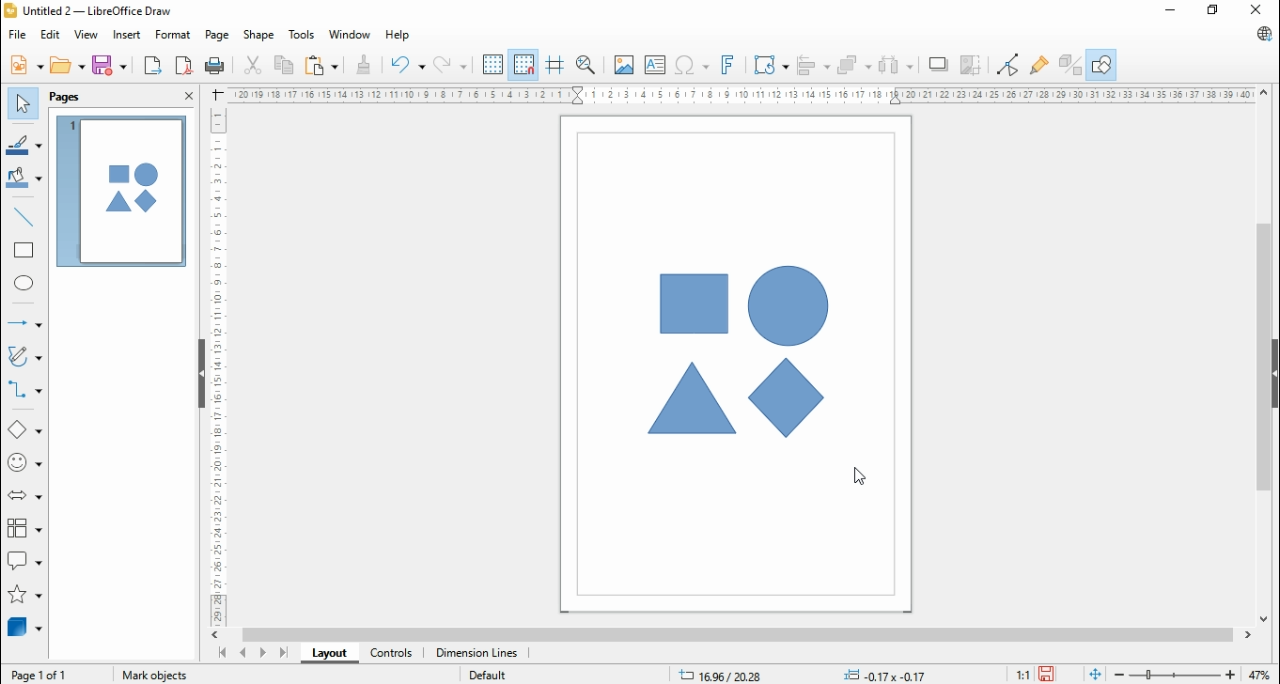 Image resolution: width=1280 pixels, height=684 pixels. Describe the element at coordinates (155, 673) in the screenshot. I see `mark objects` at that location.